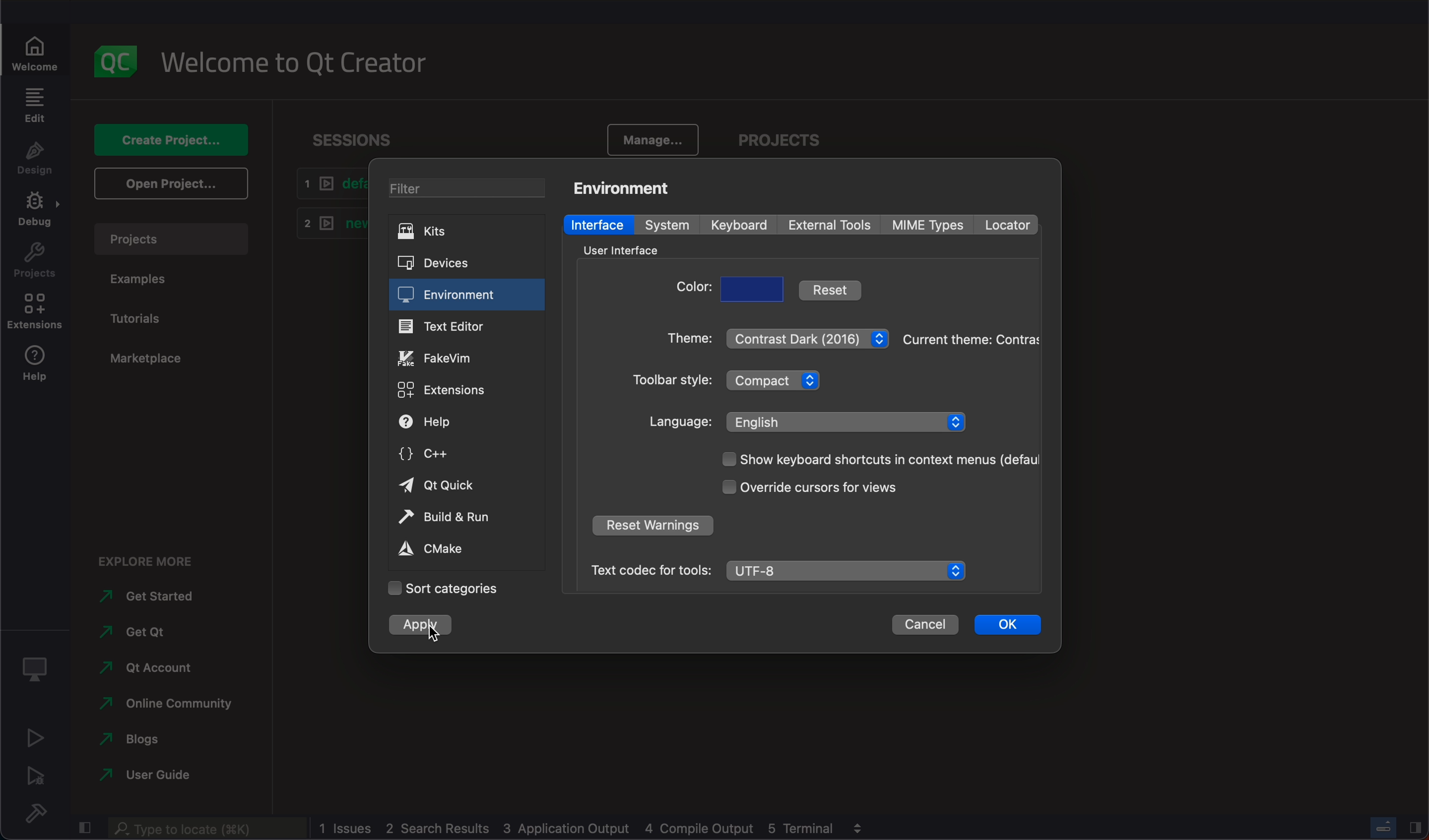 This screenshot has width=1429, height=840. What do you see at coordinates (462, 231) in the screenshot?
I see `kits` at bounding box center [462, 231].